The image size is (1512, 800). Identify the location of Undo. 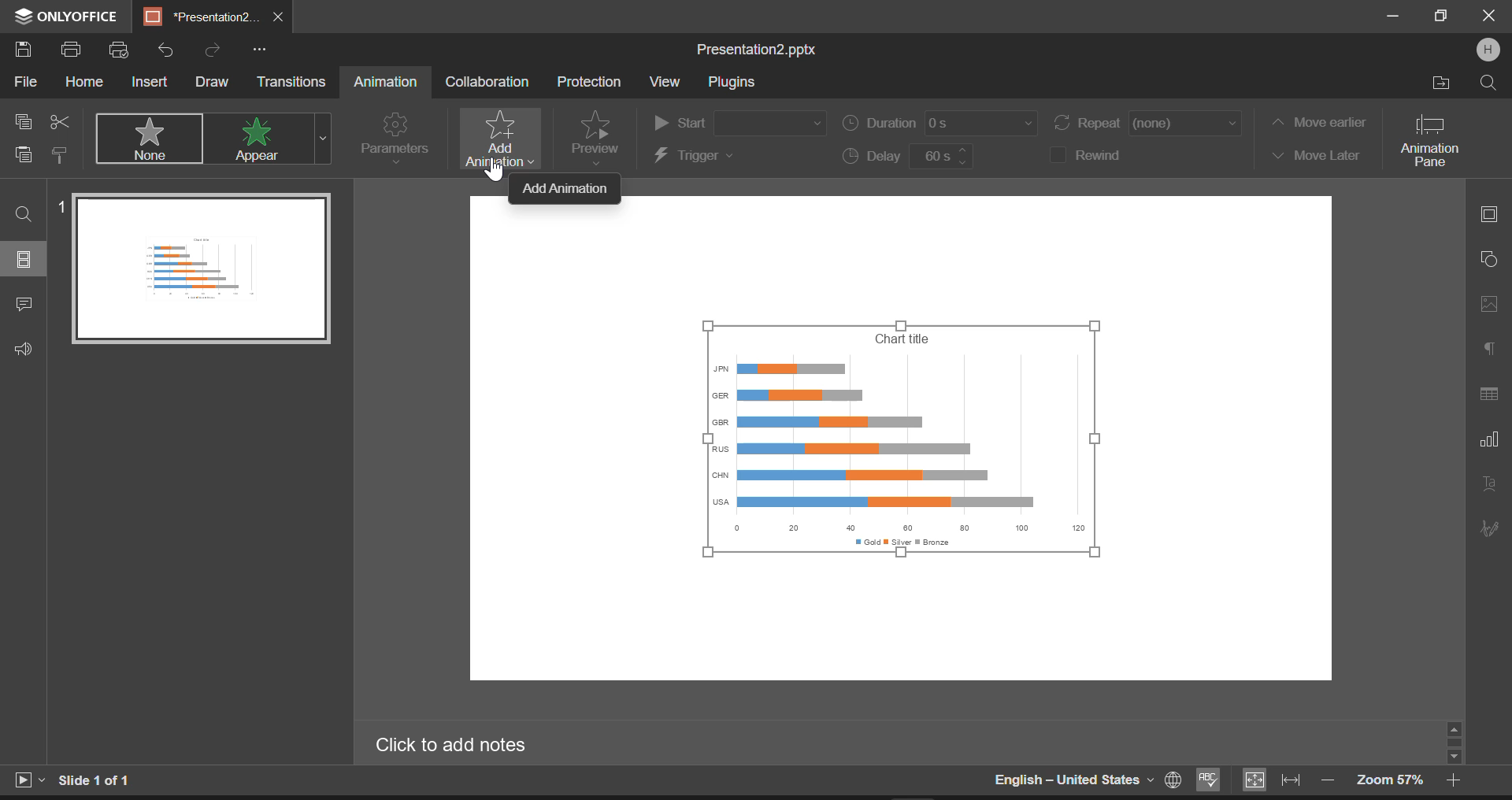
(166, 46).